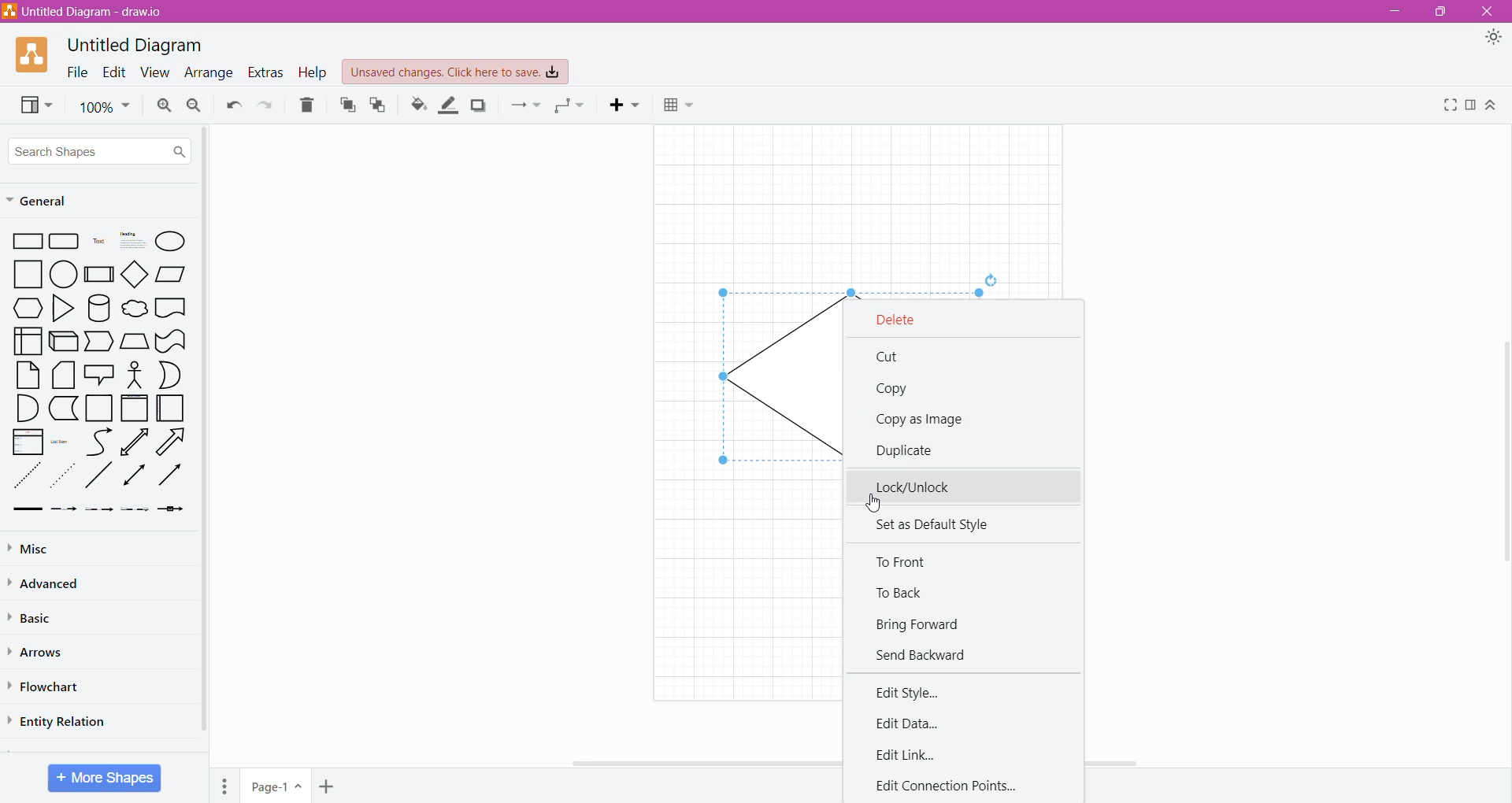 This screenshot has height=803, width=1512. What do you see at coordinates (1471, 106) in the screenshot?
I see `Format` at bounding box center [1471, 106].